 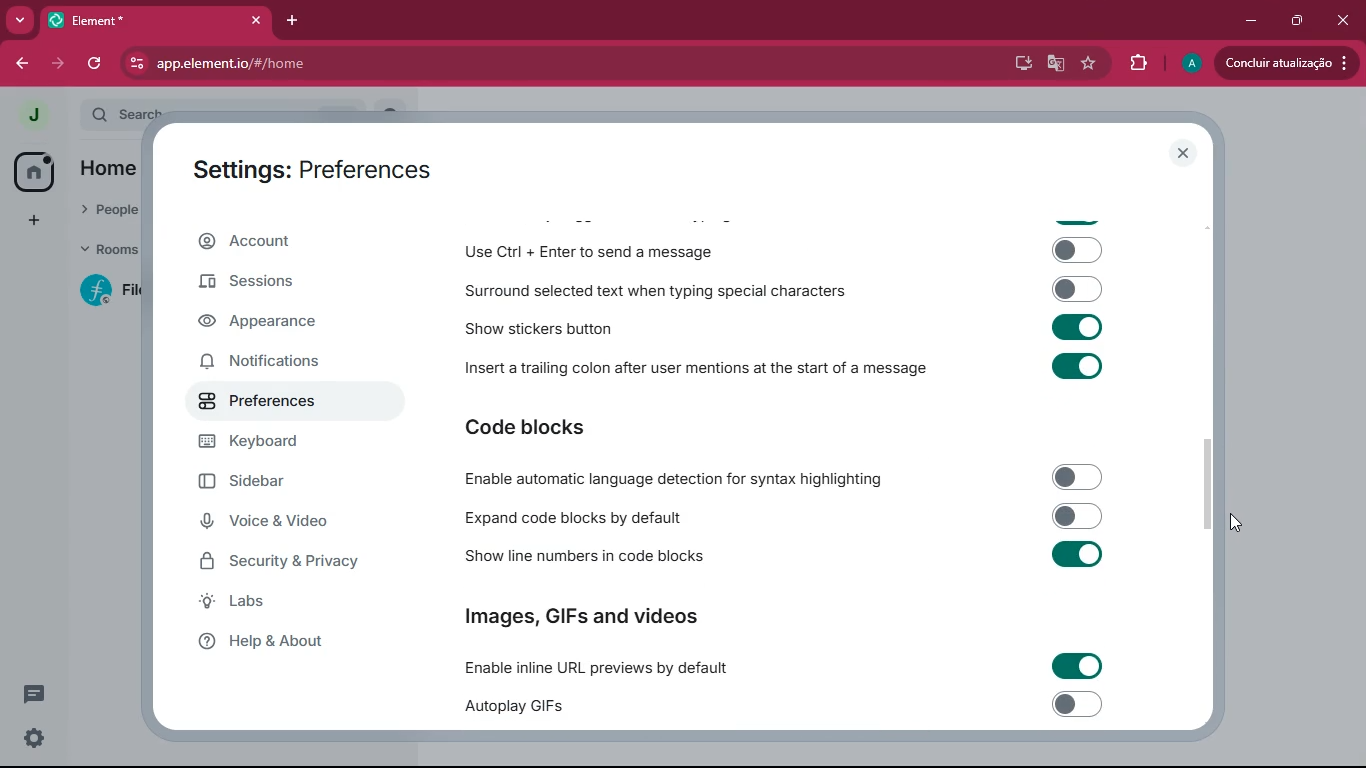 What do you see at coordinates (19, 20) in the screenshot?
I see `more` at bounding box center [19, 20].